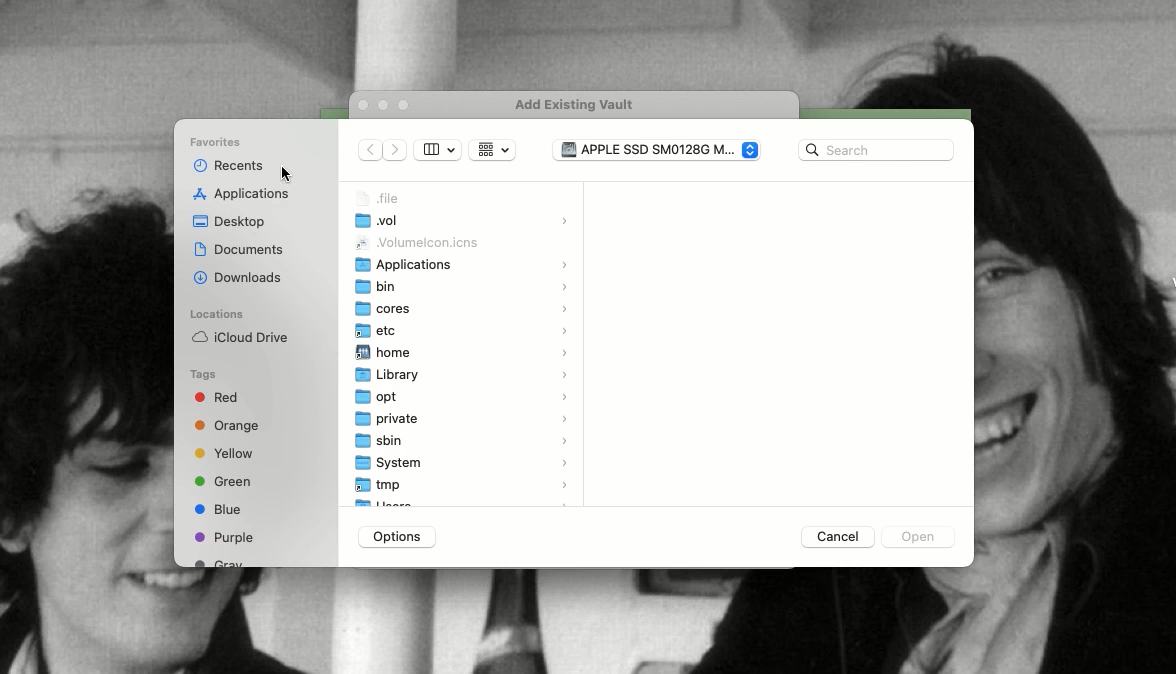  I want to click on volume icons, so click(418, 243).